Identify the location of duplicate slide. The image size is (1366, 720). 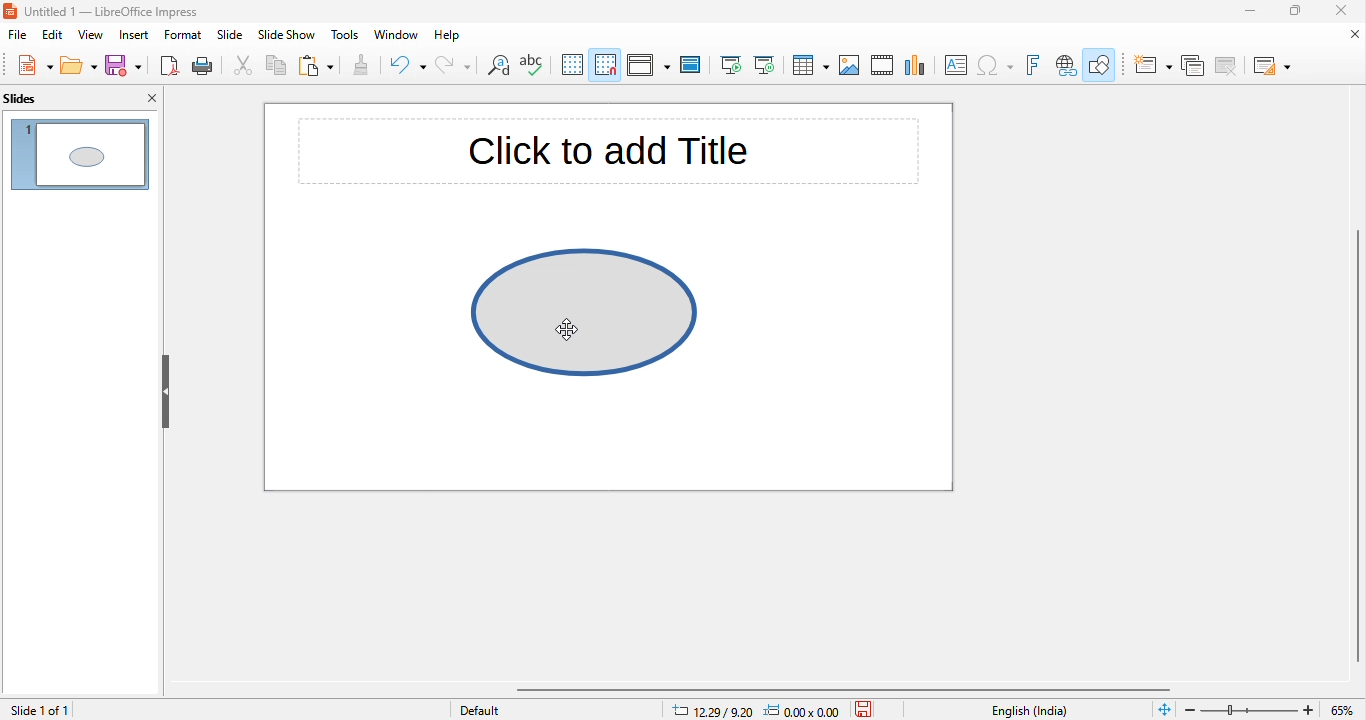
(1193, 66).